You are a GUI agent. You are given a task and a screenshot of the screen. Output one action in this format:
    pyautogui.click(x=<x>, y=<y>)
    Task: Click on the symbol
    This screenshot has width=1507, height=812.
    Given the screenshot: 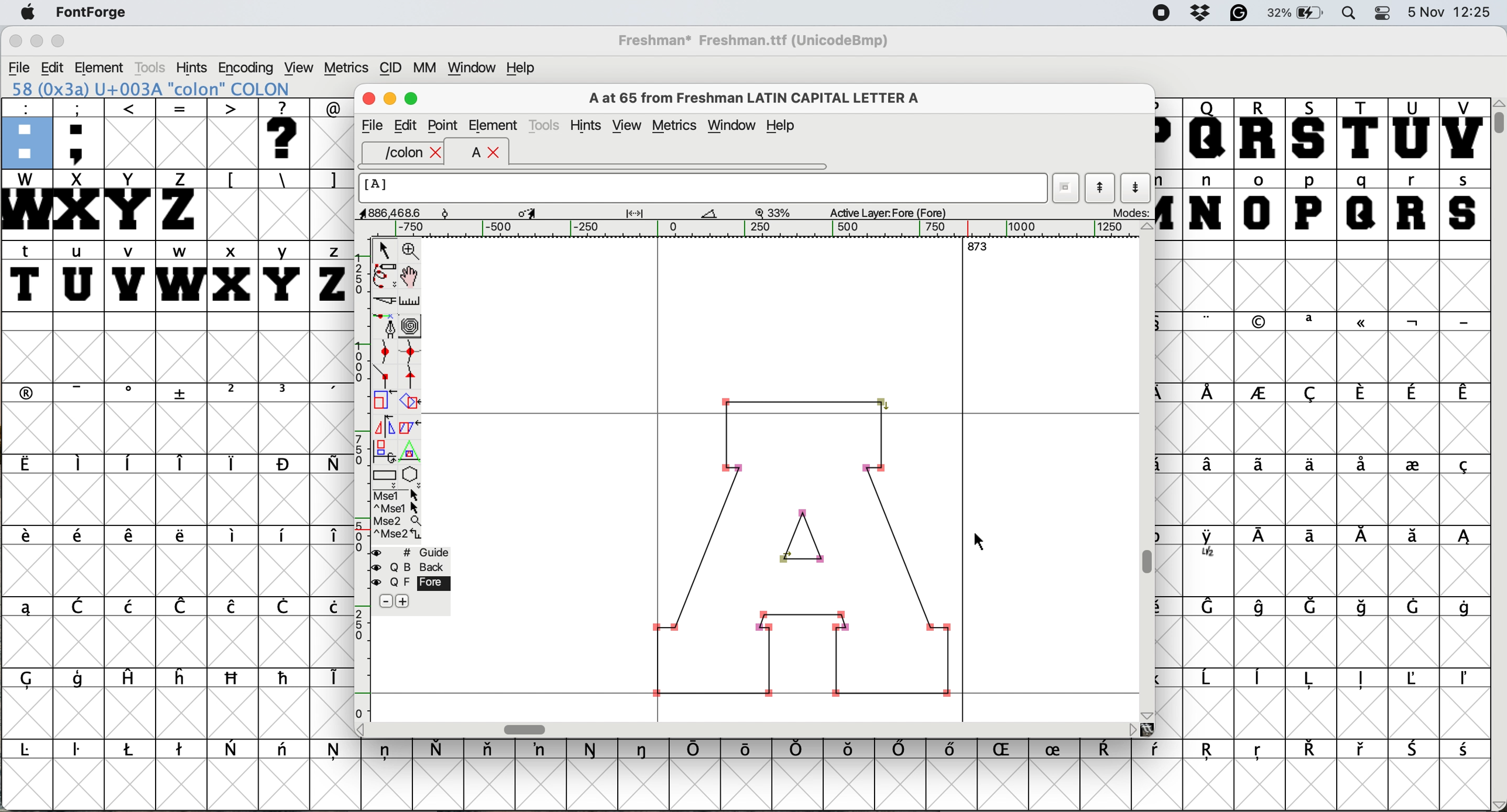 What is the action you would take?
    pyautogui.click(x=285, y=752)
    